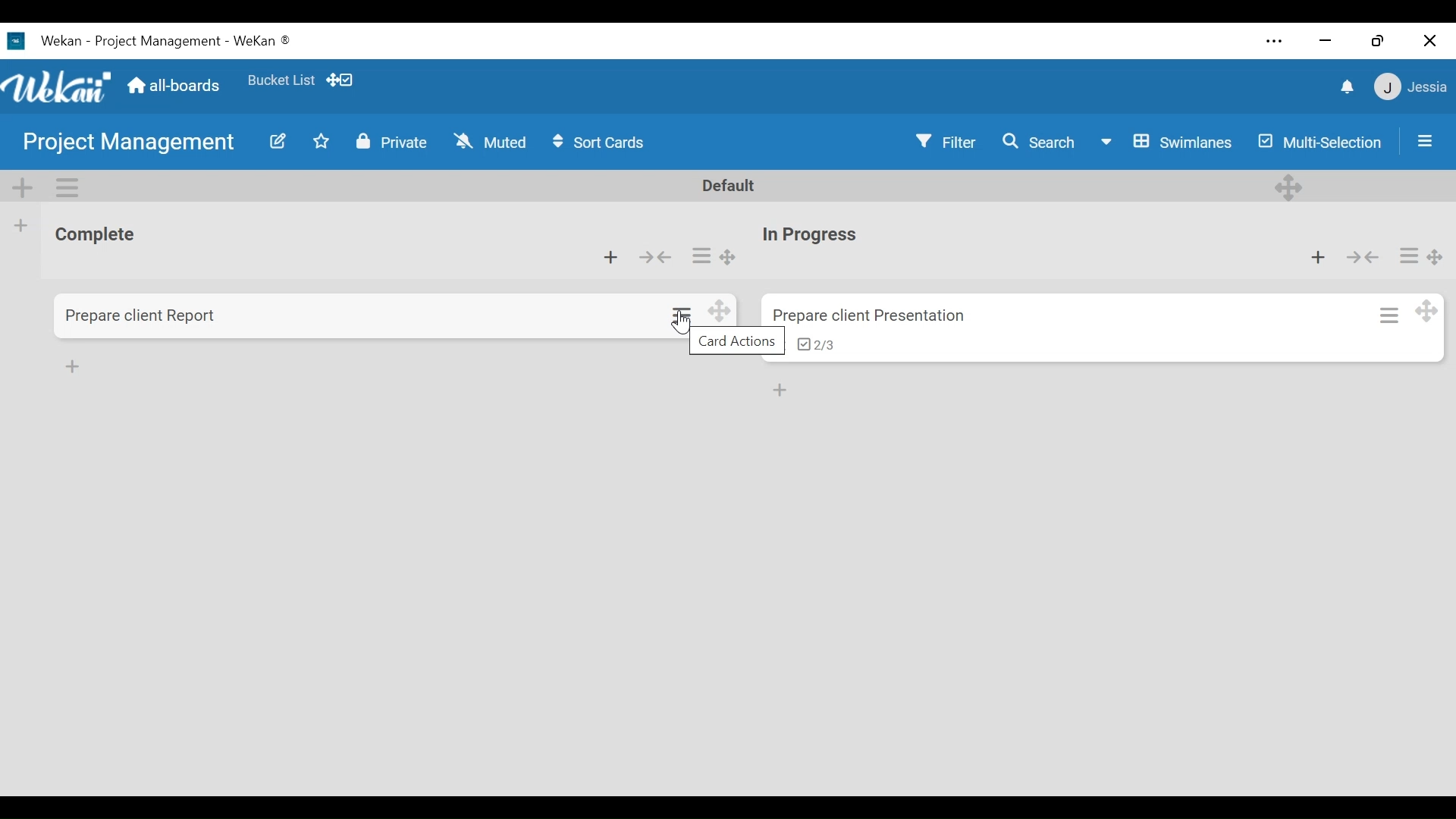  What do you see at coordinates (284, 80) in the screenshot?
I see `Favorites` at bounding box center [284, 80].